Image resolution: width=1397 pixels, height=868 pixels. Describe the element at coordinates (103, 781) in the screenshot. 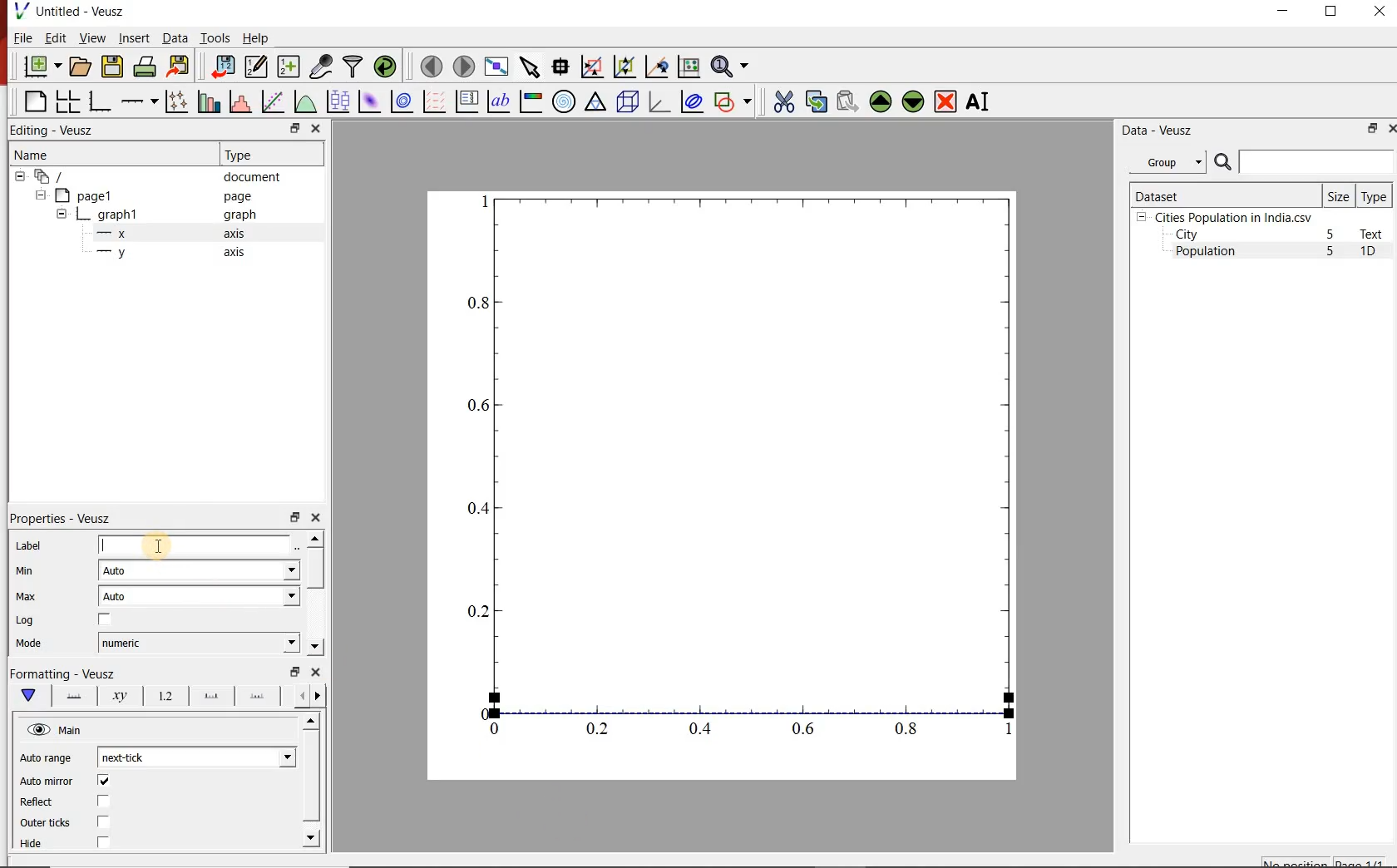

I see `check/uncheck` at that location.